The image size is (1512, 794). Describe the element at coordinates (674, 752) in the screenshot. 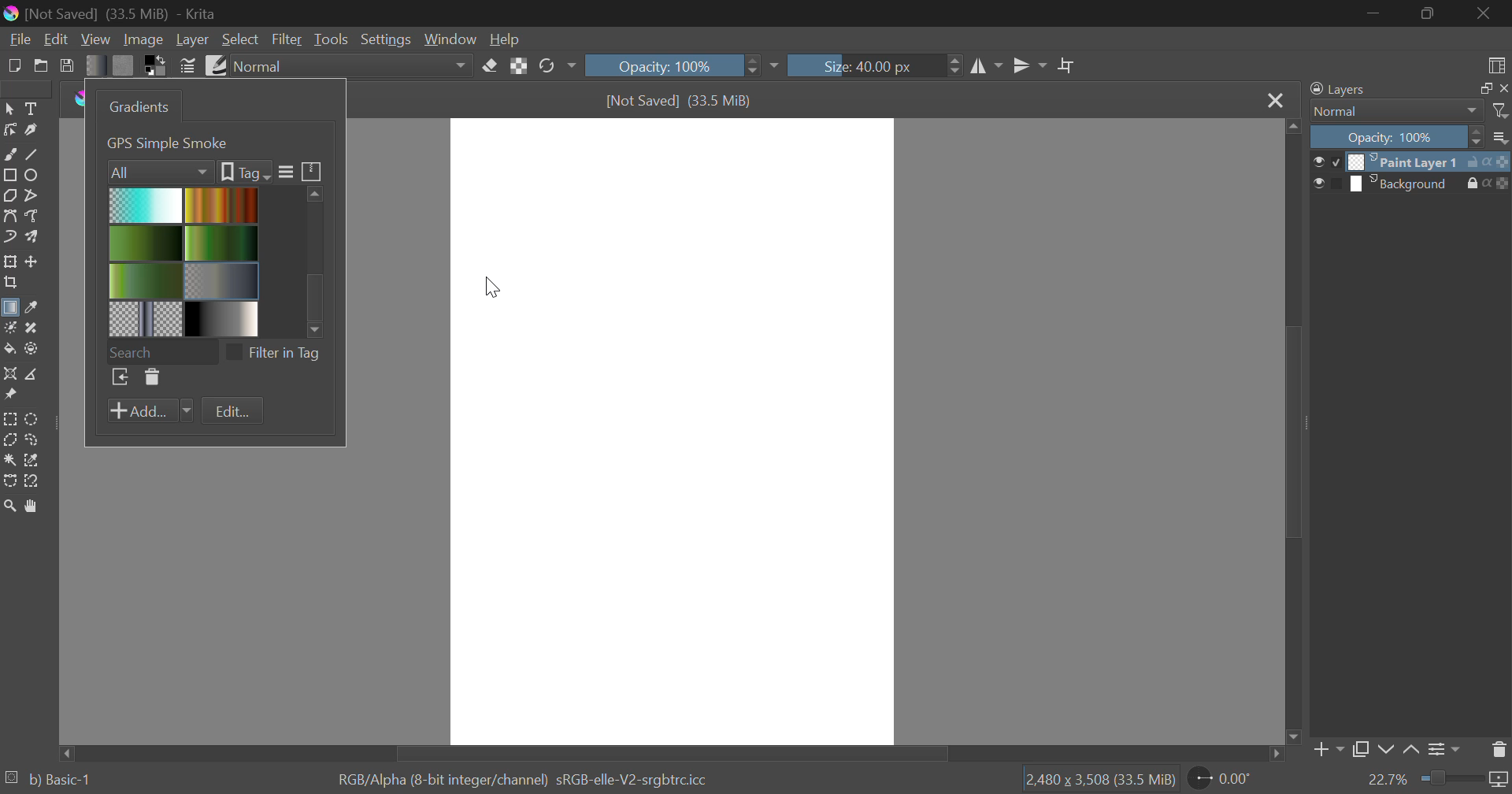

I see `Scroll Bar` at that location.